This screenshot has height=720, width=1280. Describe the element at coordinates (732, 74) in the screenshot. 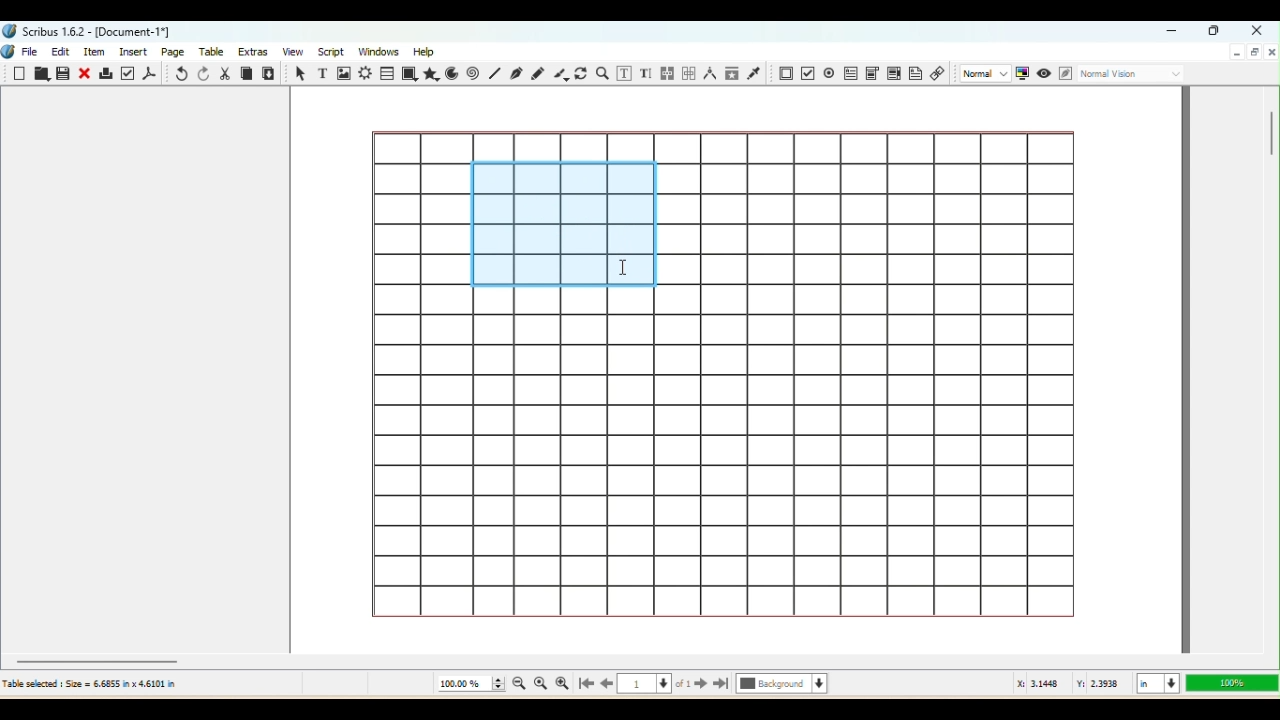

I see `Copy item properties` at that location.